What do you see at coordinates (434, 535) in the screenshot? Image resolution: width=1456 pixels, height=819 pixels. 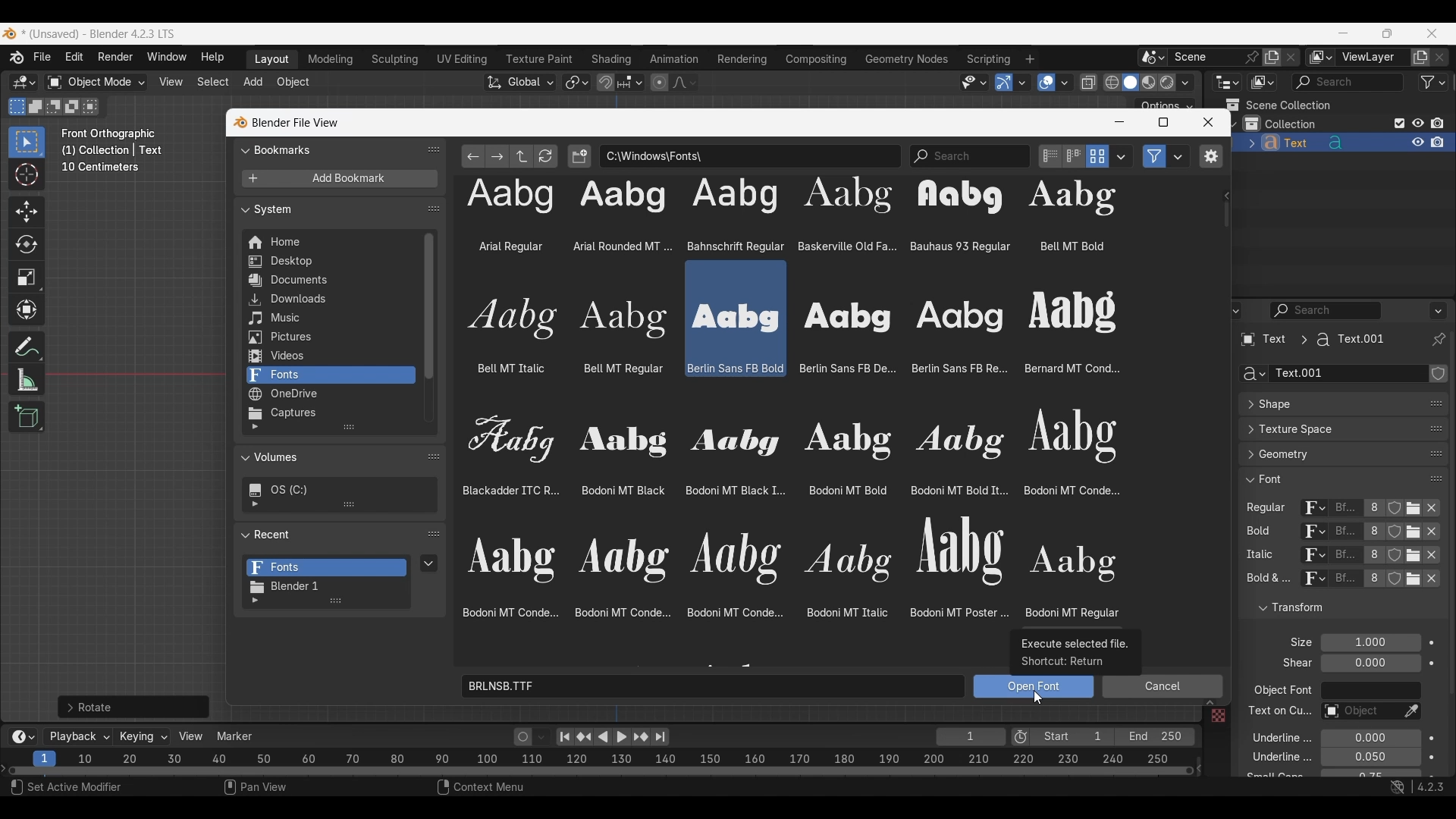 I see `Change order in list` at bounding box center [434, 535].